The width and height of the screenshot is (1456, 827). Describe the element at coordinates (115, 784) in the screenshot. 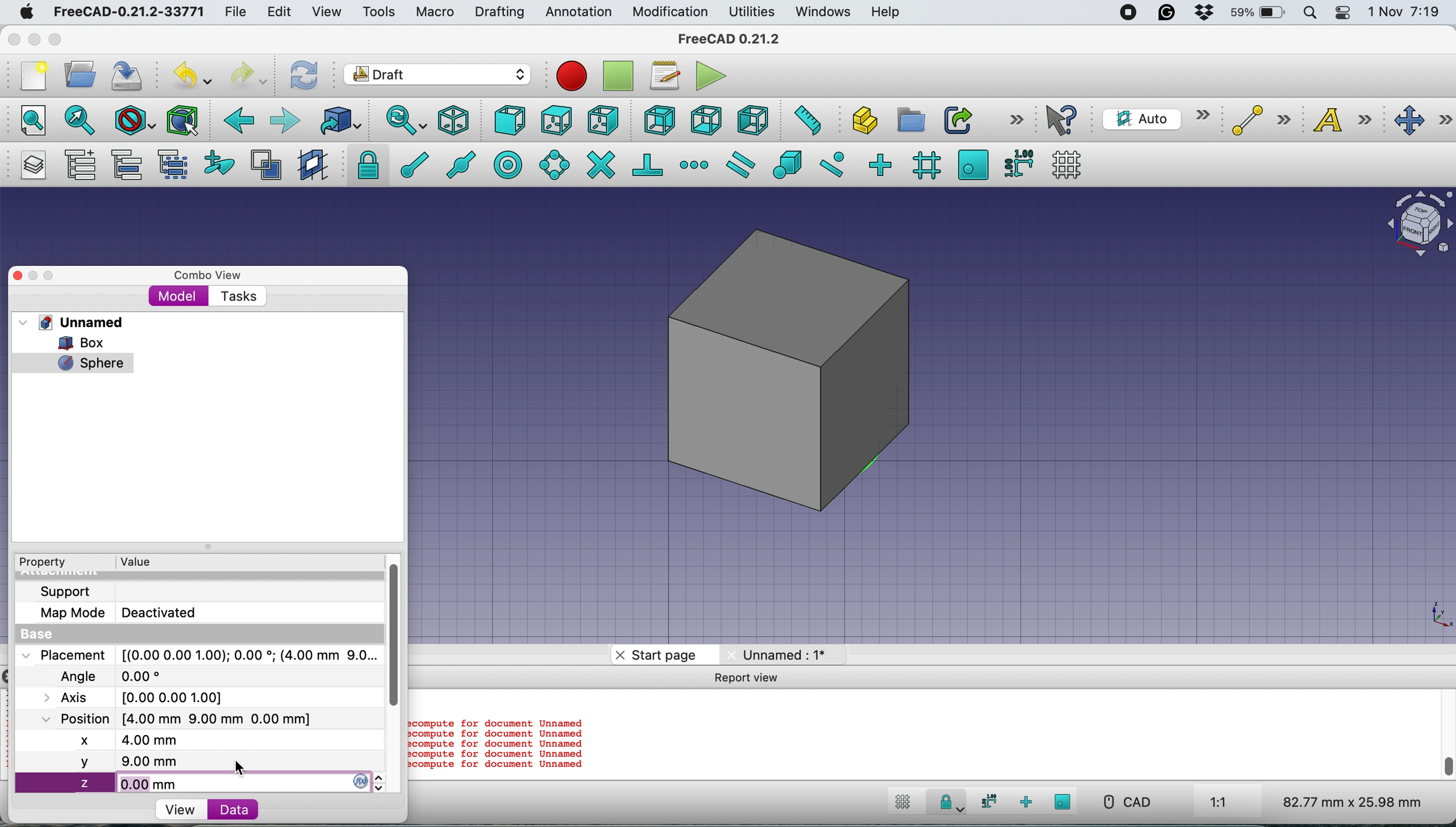

I see `z axis chosen` at that location.